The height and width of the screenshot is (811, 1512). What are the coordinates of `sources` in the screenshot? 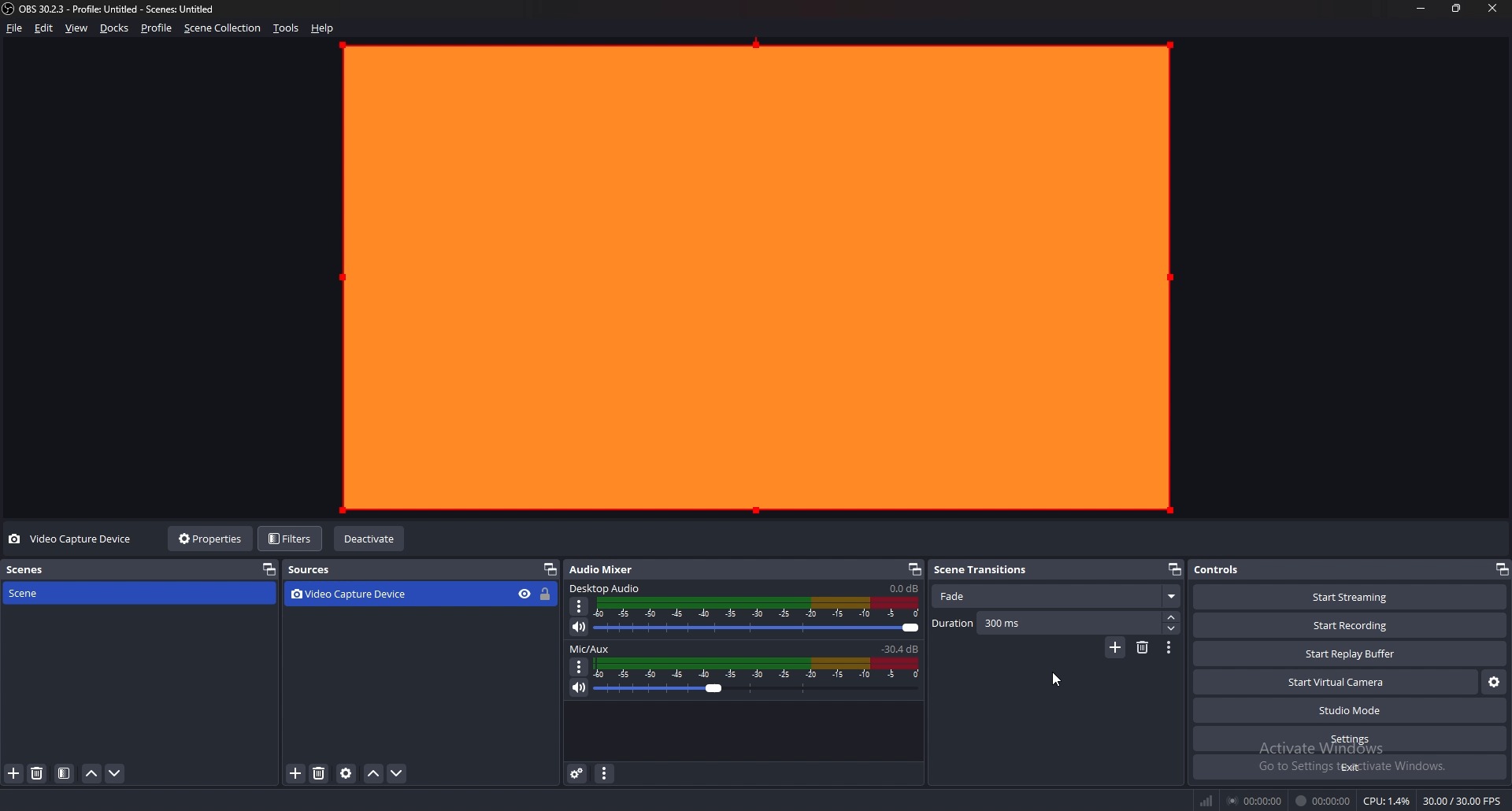 It's located at (322, 570).